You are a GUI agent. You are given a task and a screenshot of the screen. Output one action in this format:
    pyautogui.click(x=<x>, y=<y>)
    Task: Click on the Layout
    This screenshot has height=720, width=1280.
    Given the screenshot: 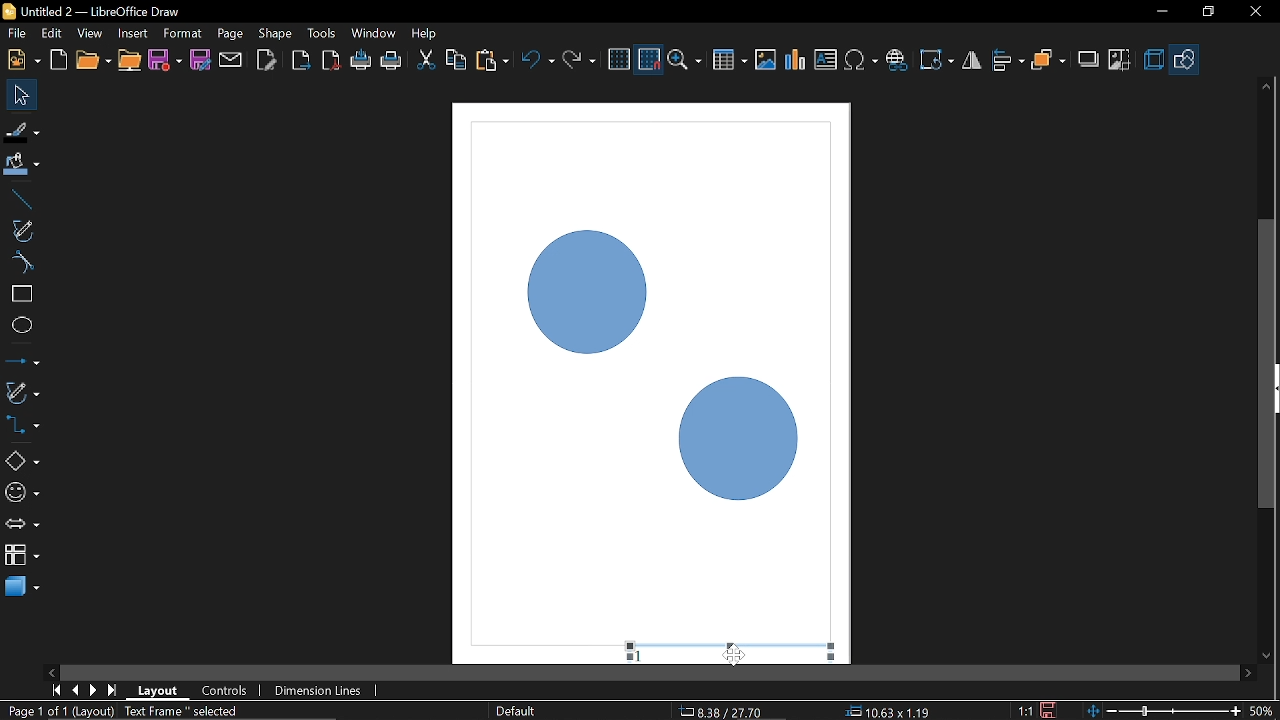 What is the action you would take?
    pyautogui.click(x=158, y=690)
    